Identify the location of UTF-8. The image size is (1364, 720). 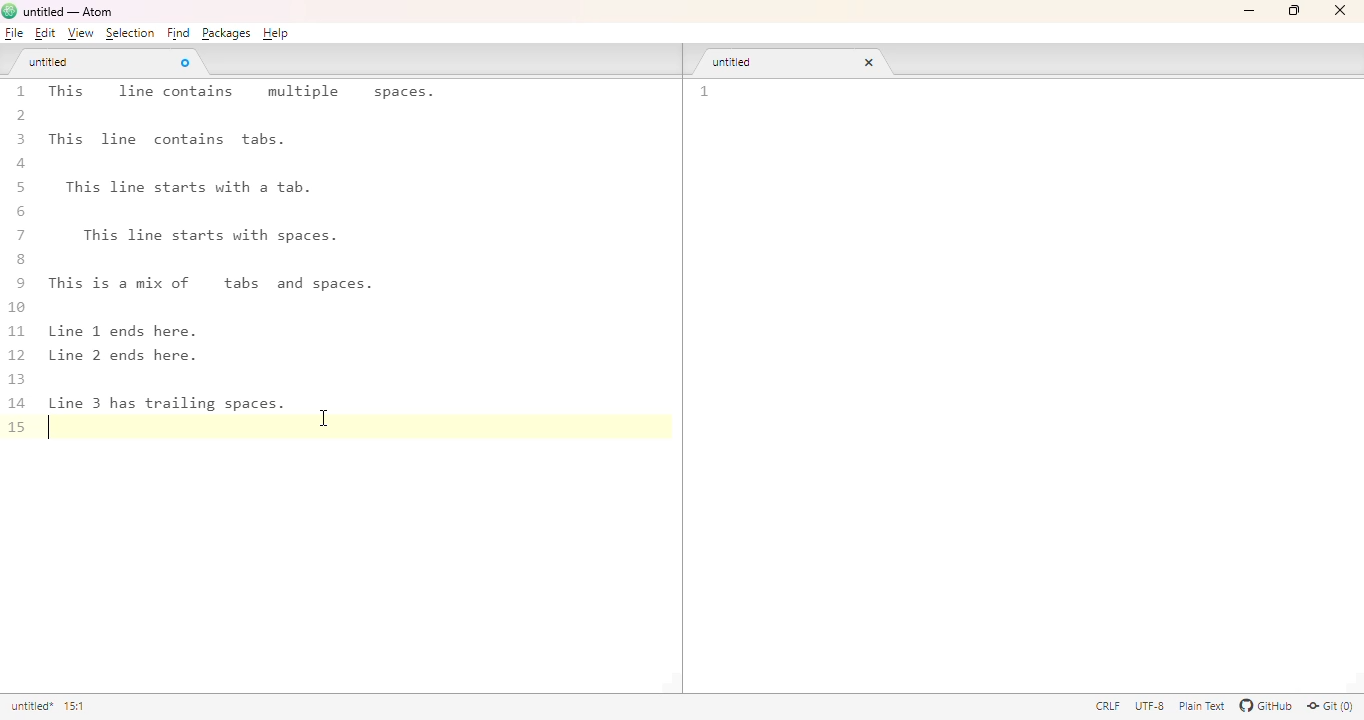
(1149, 706).